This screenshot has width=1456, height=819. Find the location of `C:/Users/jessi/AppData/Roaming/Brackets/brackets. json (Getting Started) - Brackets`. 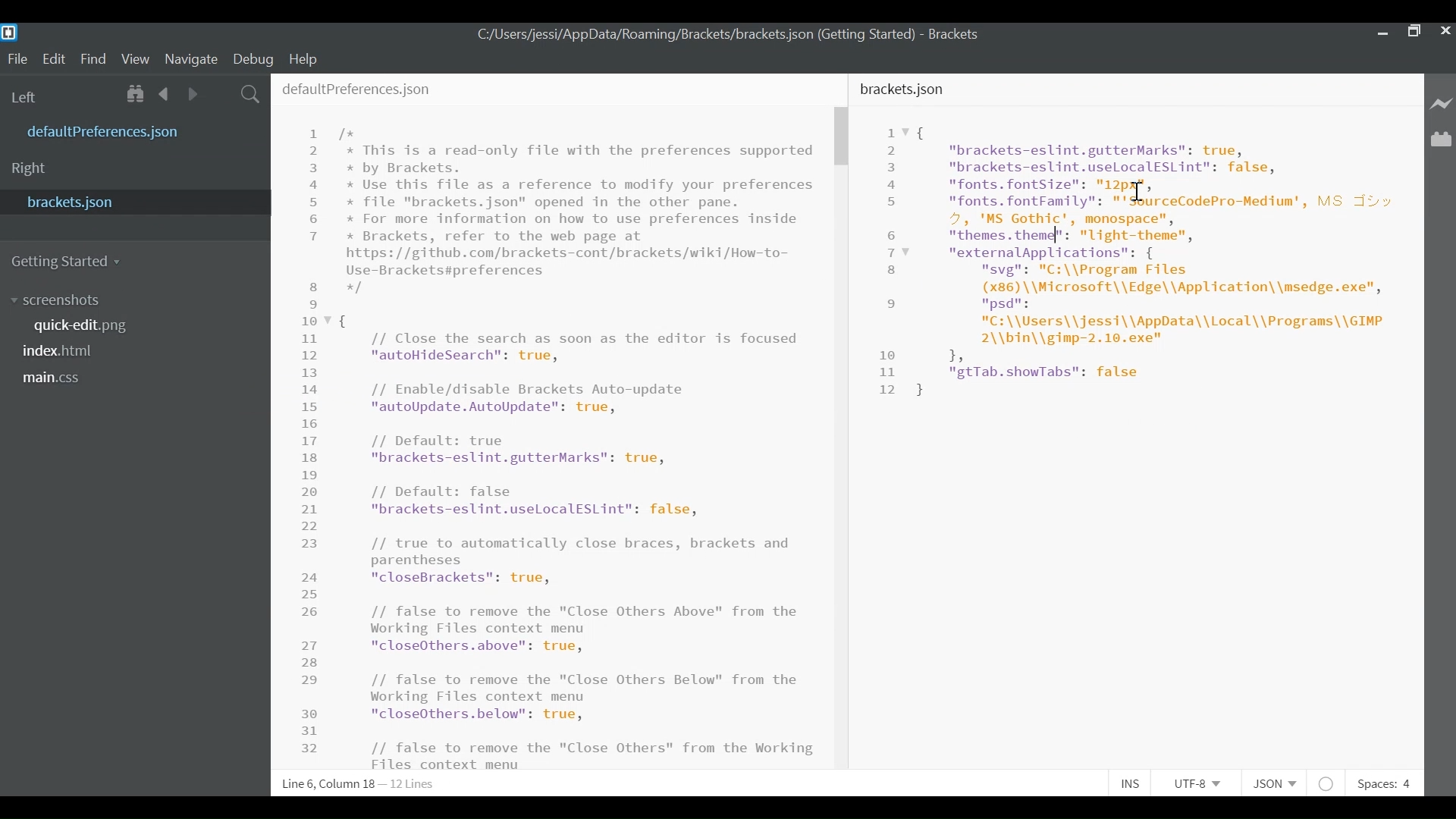

C:/Users/jessi/AppData/Roaming/Brackets/brackets. json (Getting Started) - Brackets is located at coordinates (729, 33).